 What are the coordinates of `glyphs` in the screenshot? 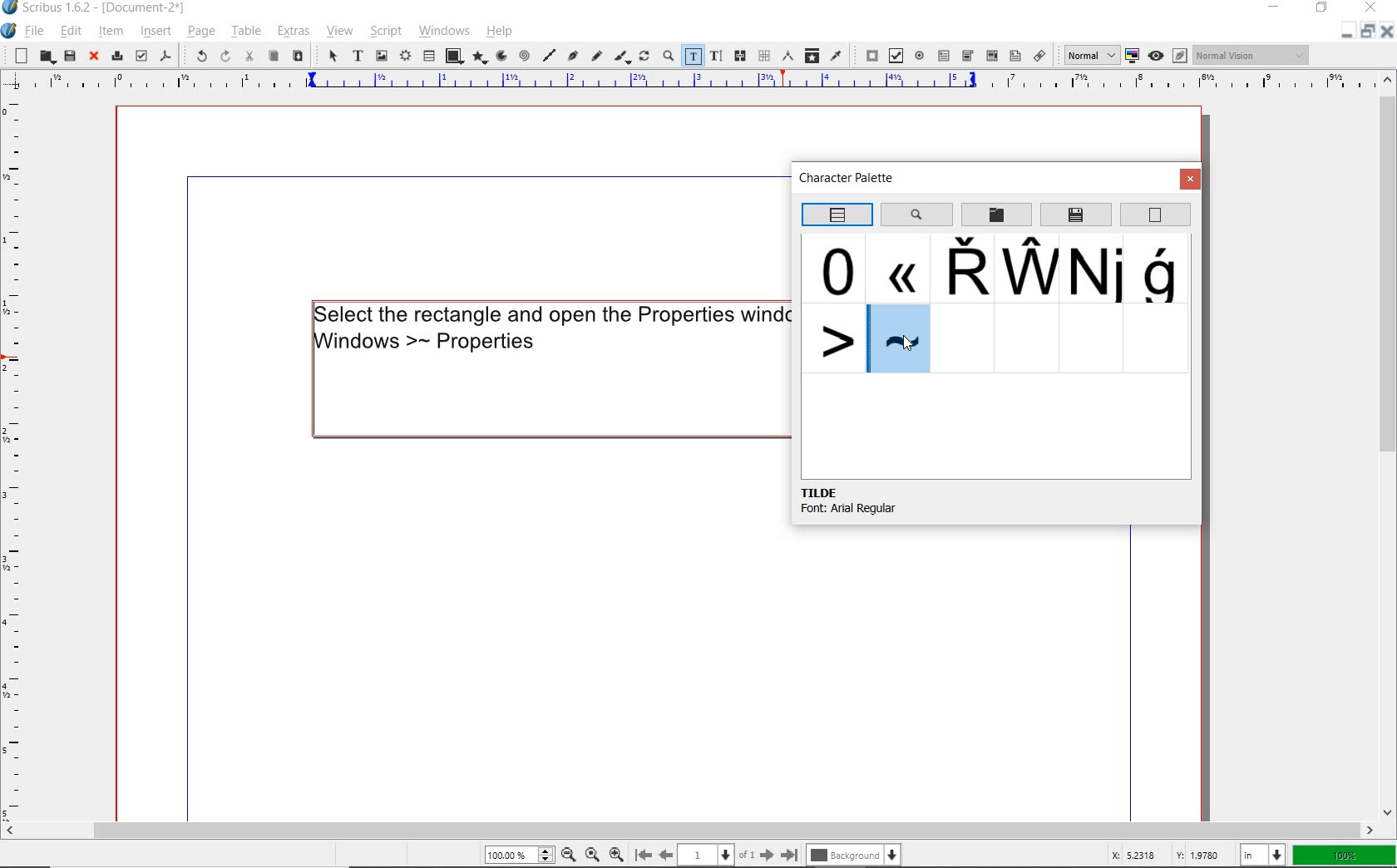 It's located at (897, 267).